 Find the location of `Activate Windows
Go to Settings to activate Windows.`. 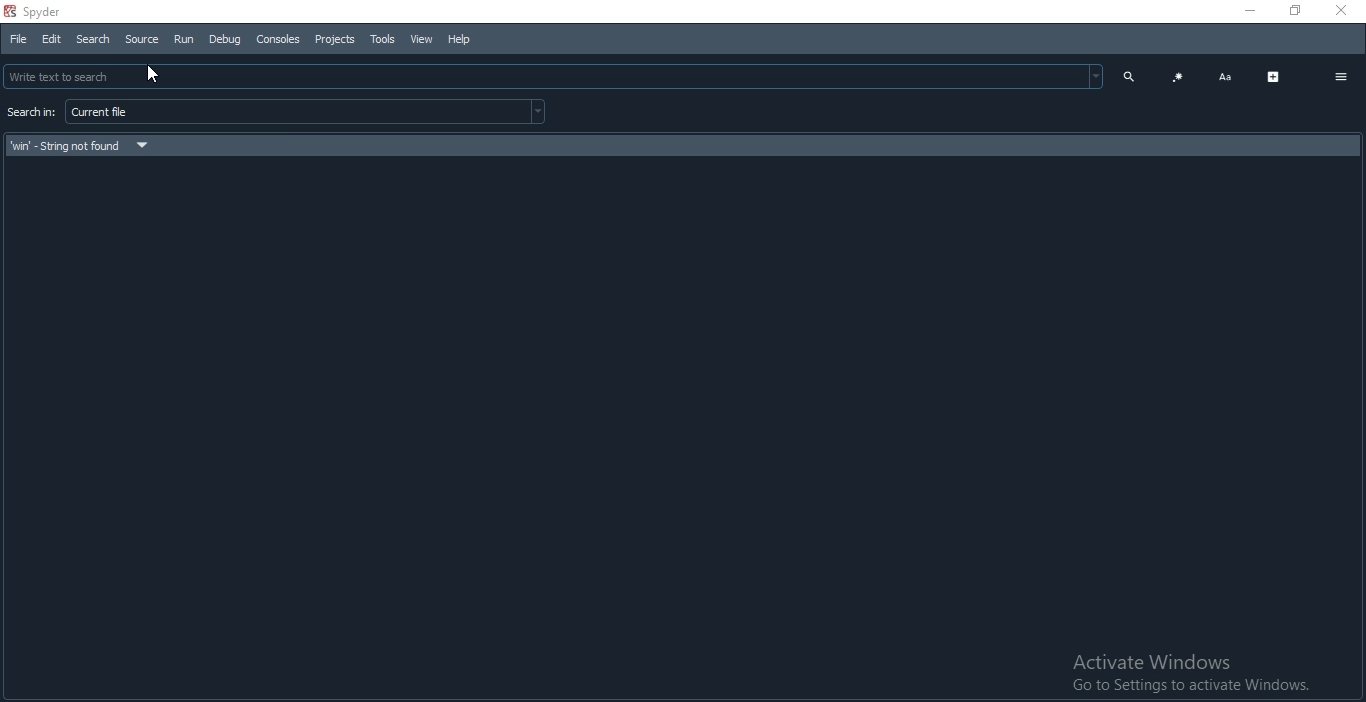

Activate Windows
Go to Settings to activate Windows. is located at coordinates (1188, 674).